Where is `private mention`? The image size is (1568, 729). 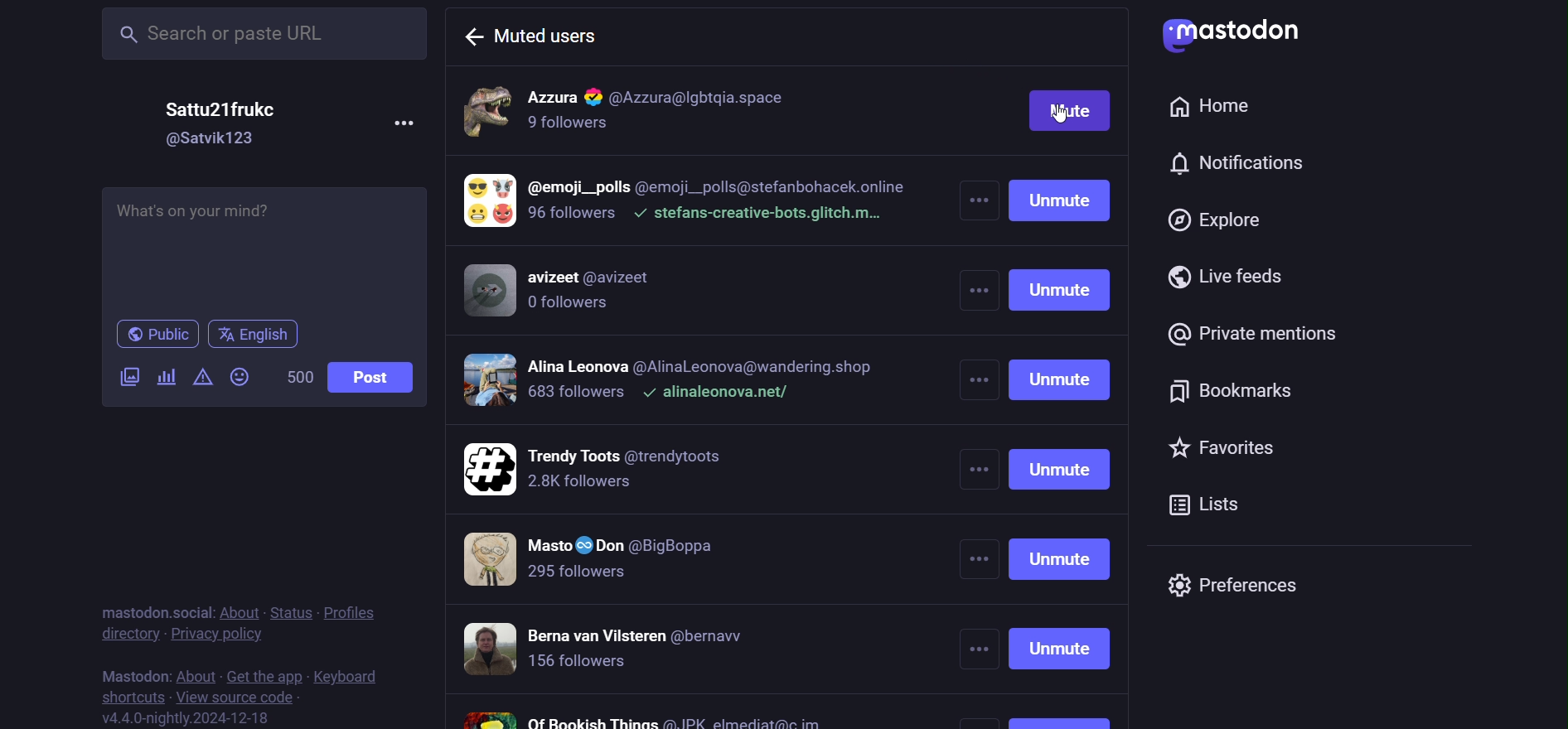
private mention is located at coordinates (1263, 333).